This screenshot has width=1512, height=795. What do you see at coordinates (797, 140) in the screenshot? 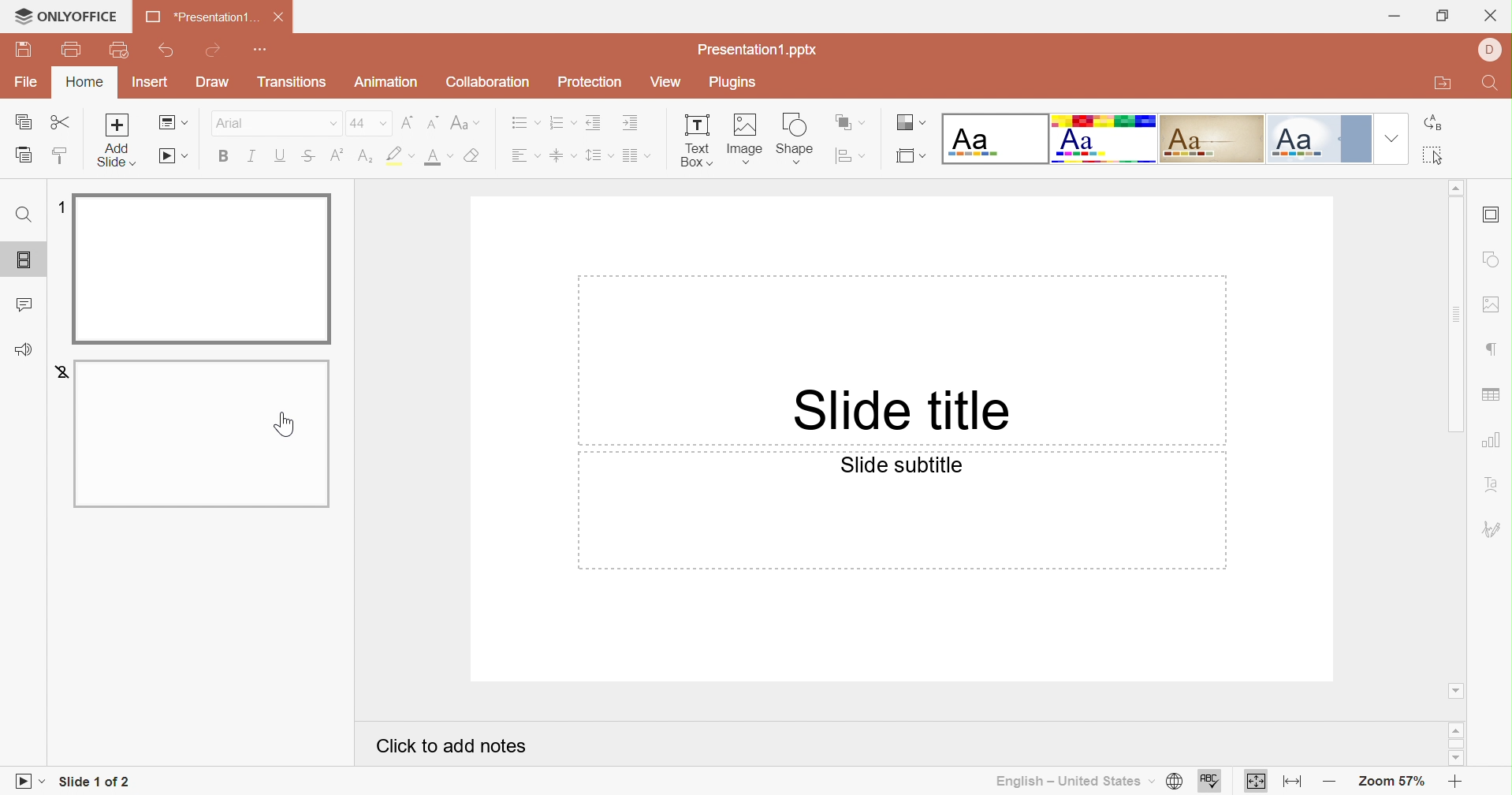
I see `Shape` at bounding box center [797, 140].